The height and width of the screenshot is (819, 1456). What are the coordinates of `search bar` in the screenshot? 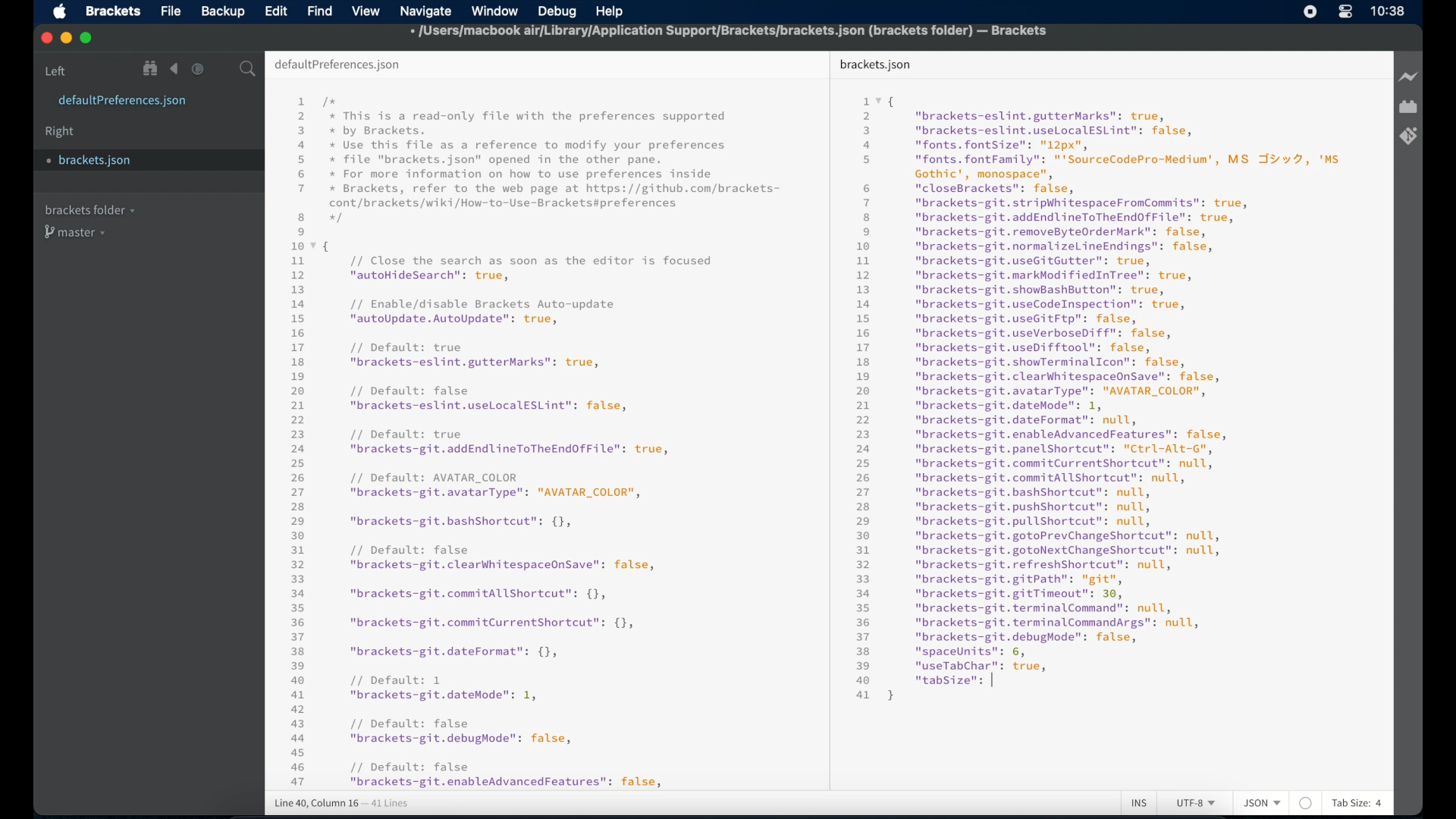 It's located at (248, 70).